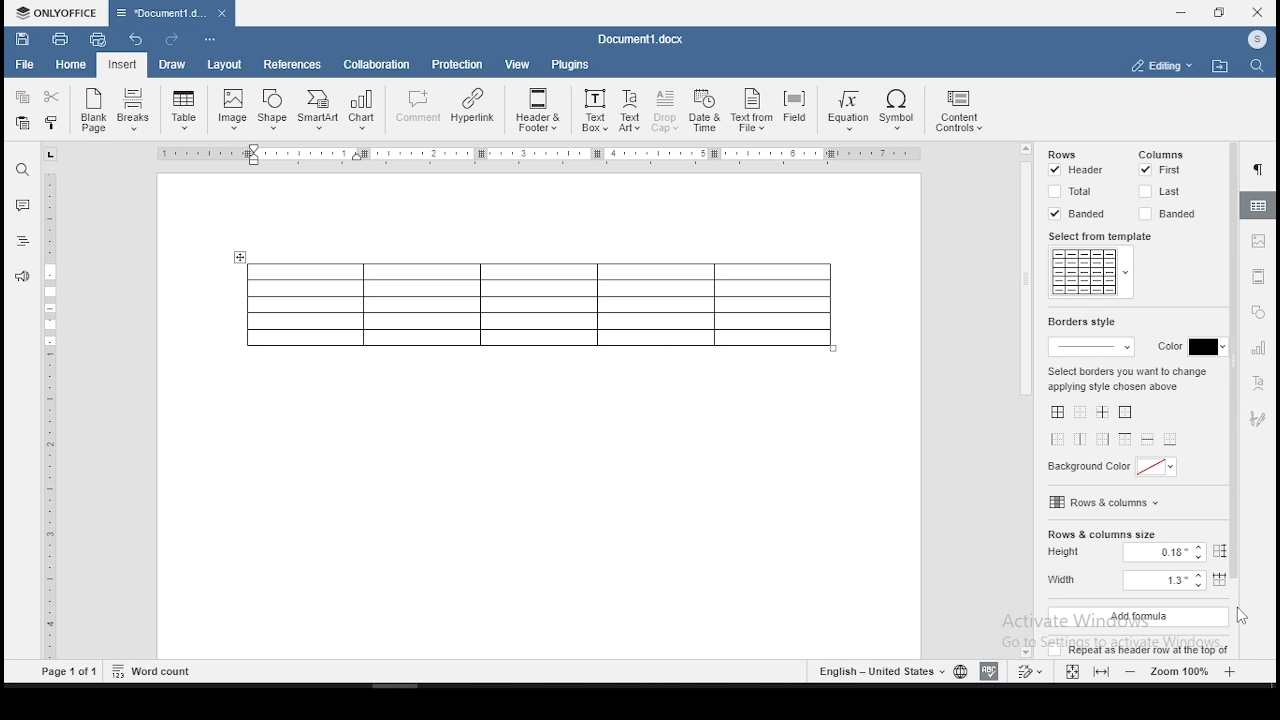 This screenshot has height=720, width=1280. I want to click on last, so click(1159, 191).